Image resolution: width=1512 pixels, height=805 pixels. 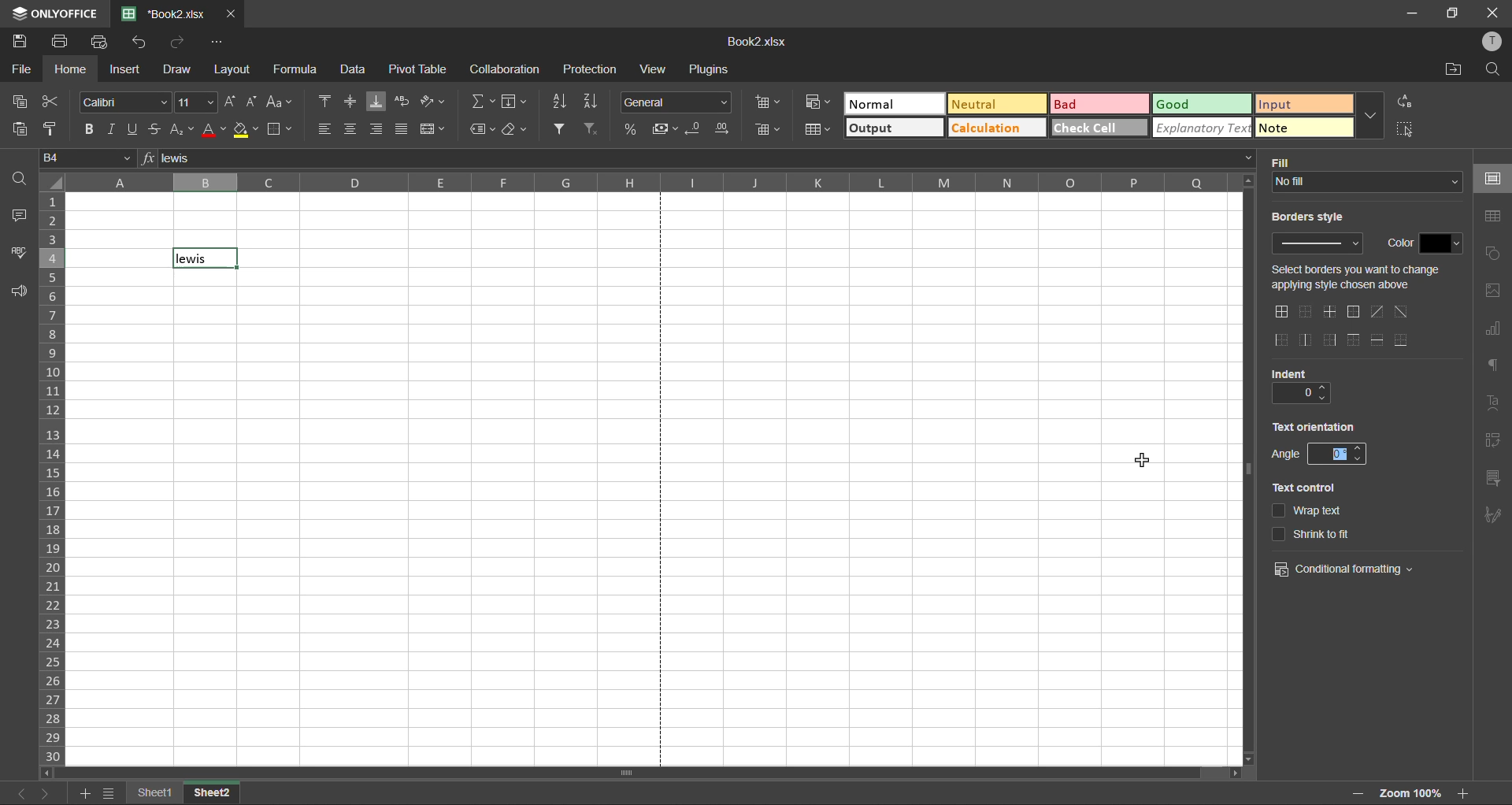 I want to click on borders style, so click(x=1313, y=217).